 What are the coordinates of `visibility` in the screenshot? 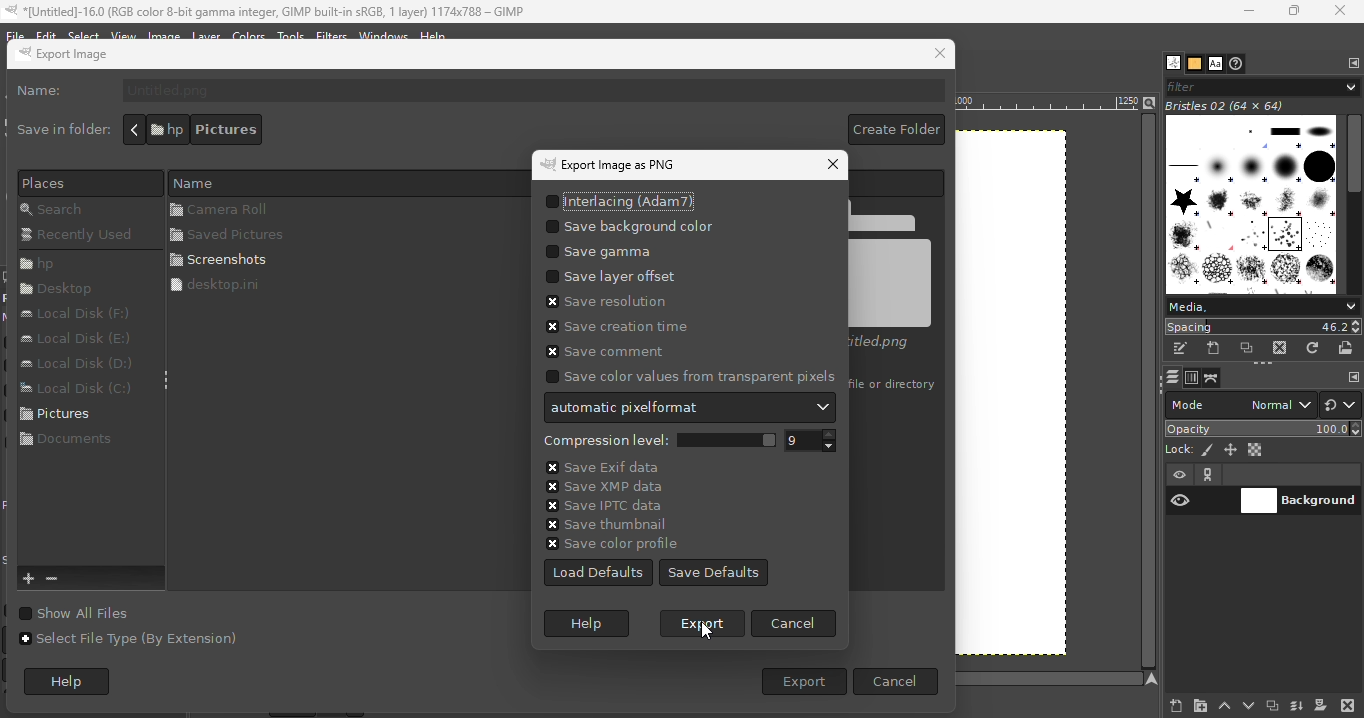 It's located at (1180, 501).